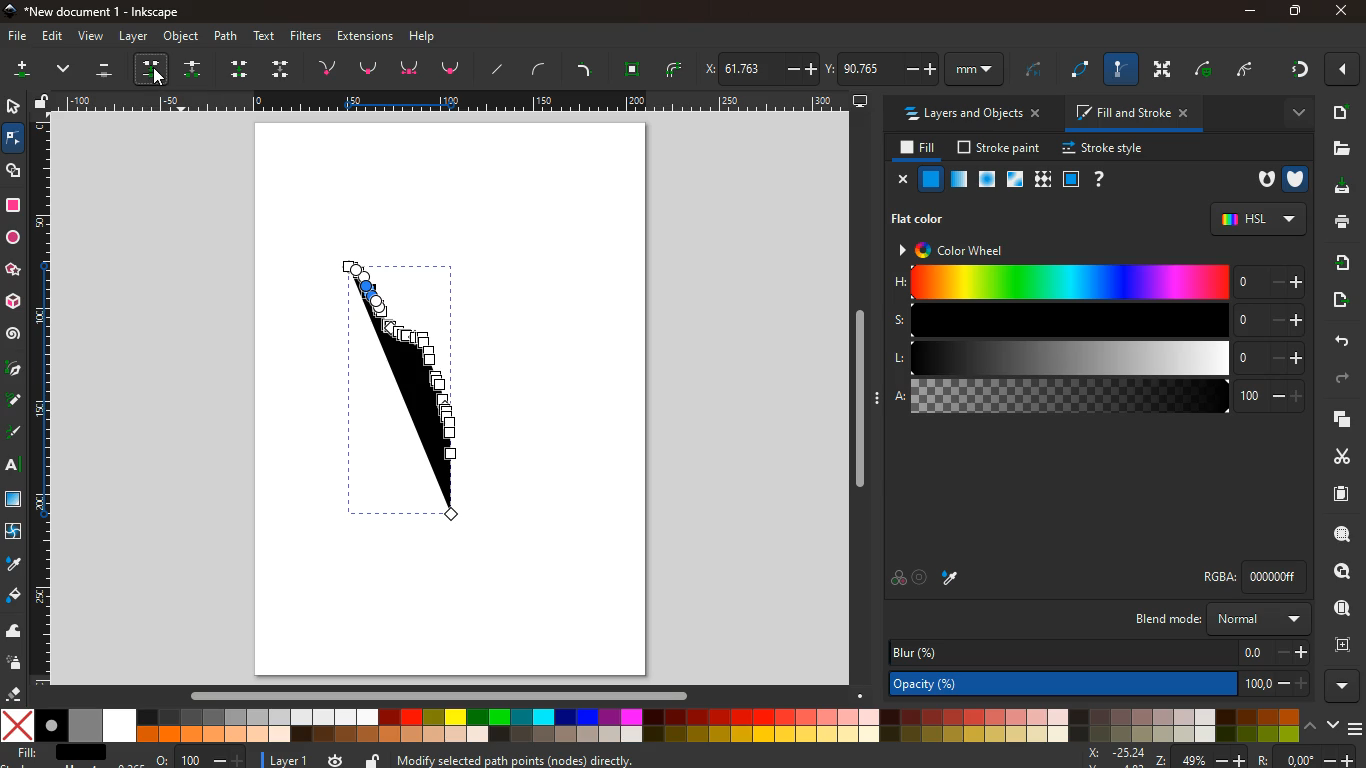  Describe the element at coordinates (1070, 179) in the screenshot. I see `frame` at that location.